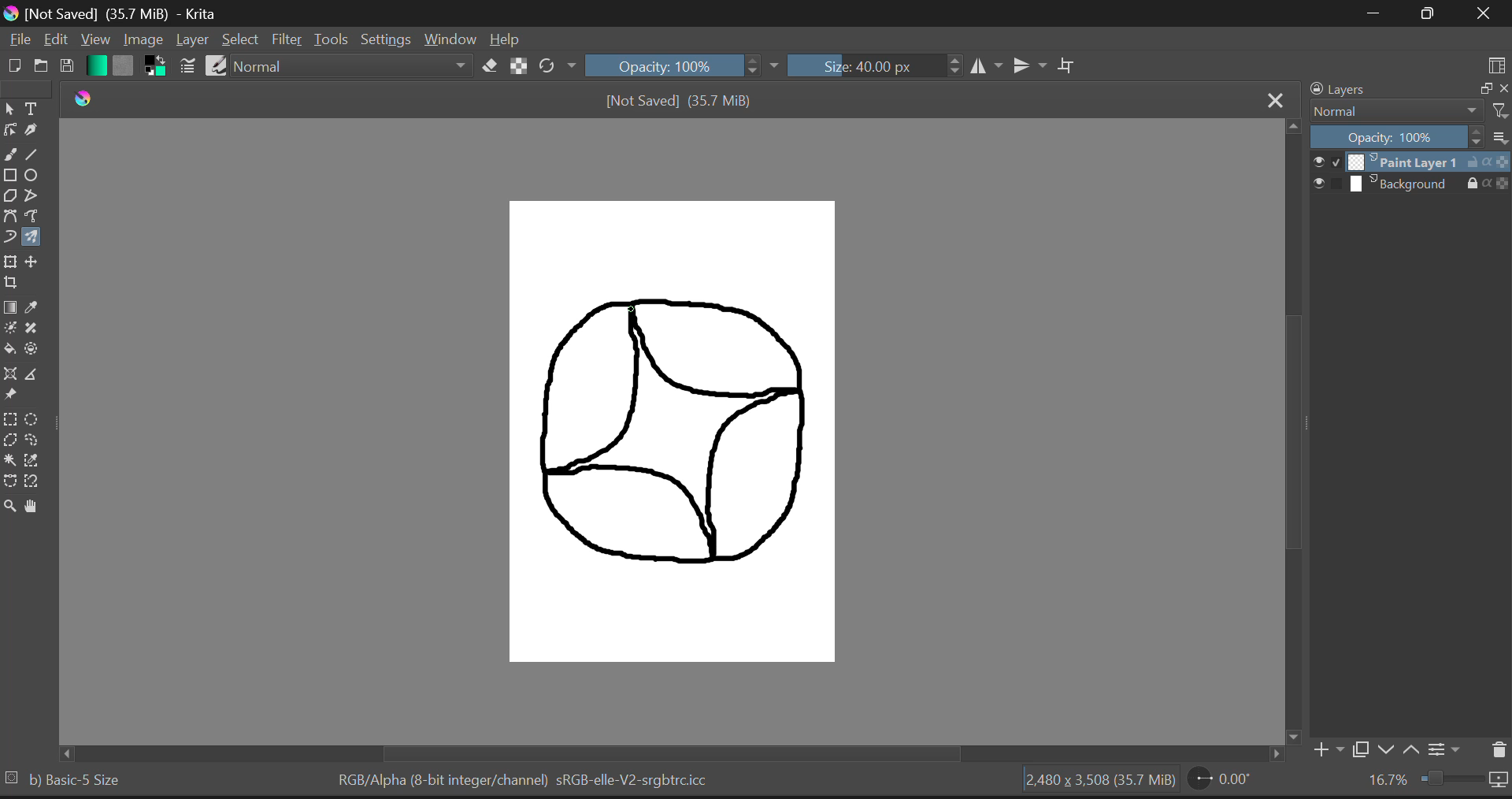  Describe the element at coordinates (55, 40) in the screenshot. I see `Edit` at that location.